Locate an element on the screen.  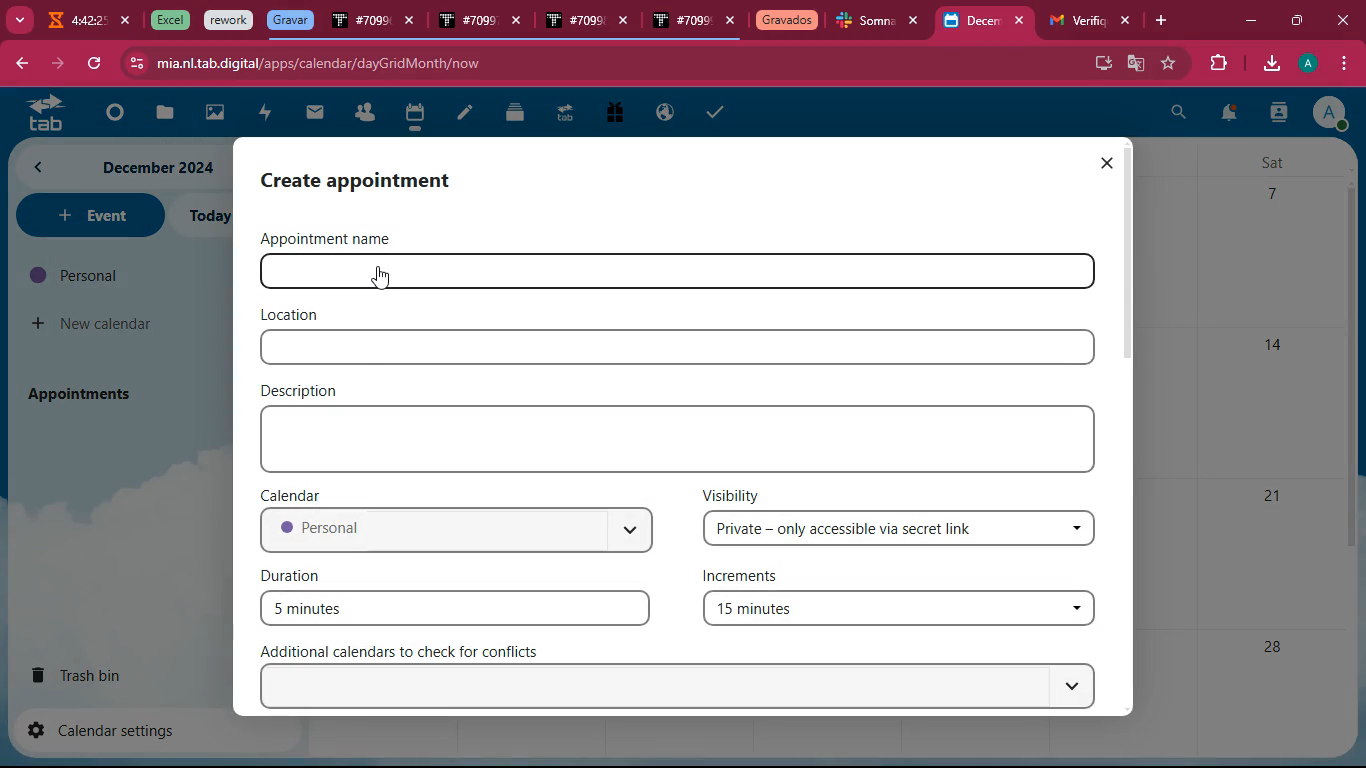
refresh is located at coordinates (94, 64).